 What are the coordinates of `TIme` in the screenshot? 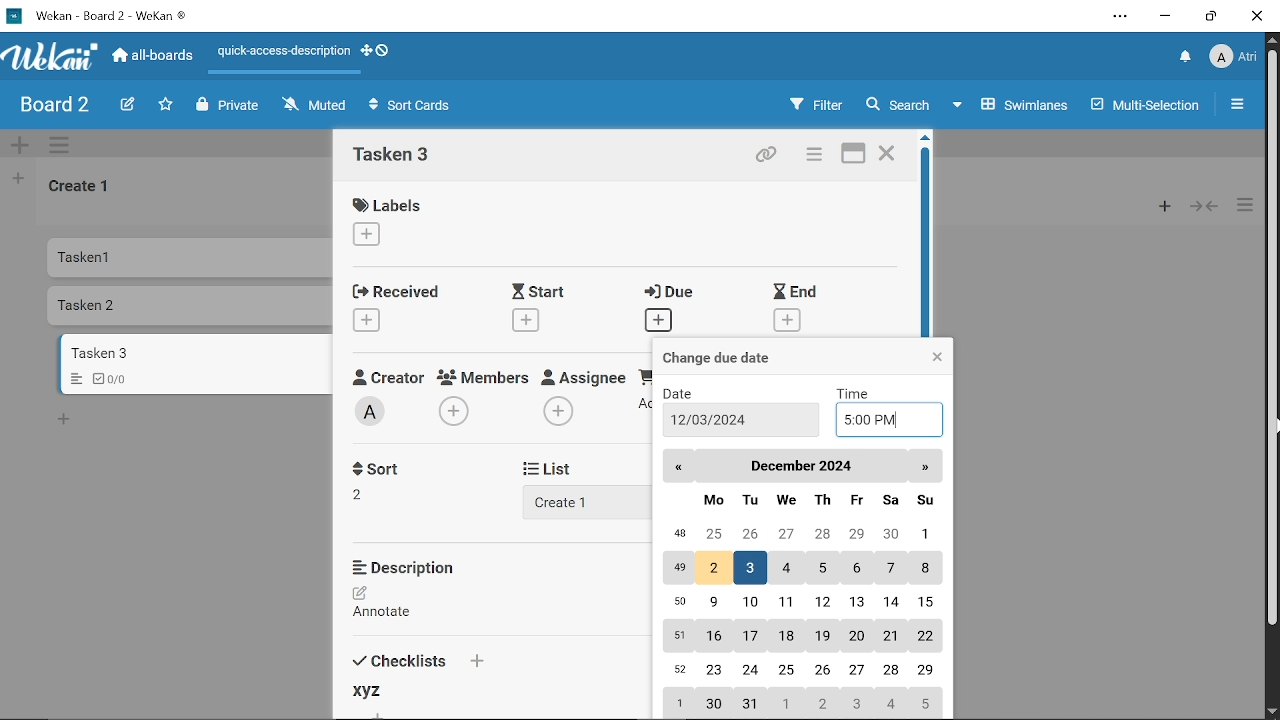 It's located at (856, 392).